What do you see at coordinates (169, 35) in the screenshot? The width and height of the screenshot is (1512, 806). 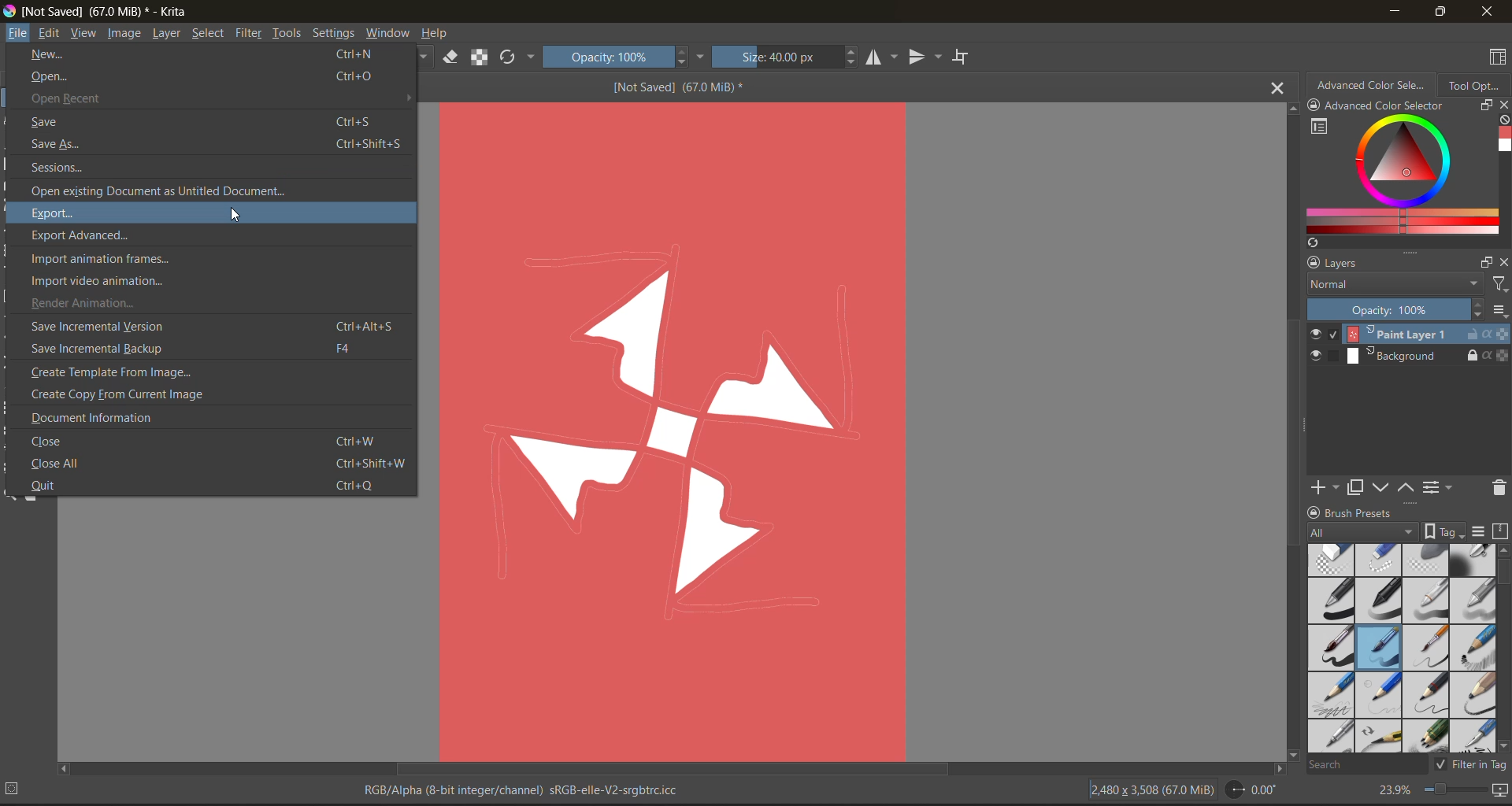 I see `layer` at bounding box center [169, 35].